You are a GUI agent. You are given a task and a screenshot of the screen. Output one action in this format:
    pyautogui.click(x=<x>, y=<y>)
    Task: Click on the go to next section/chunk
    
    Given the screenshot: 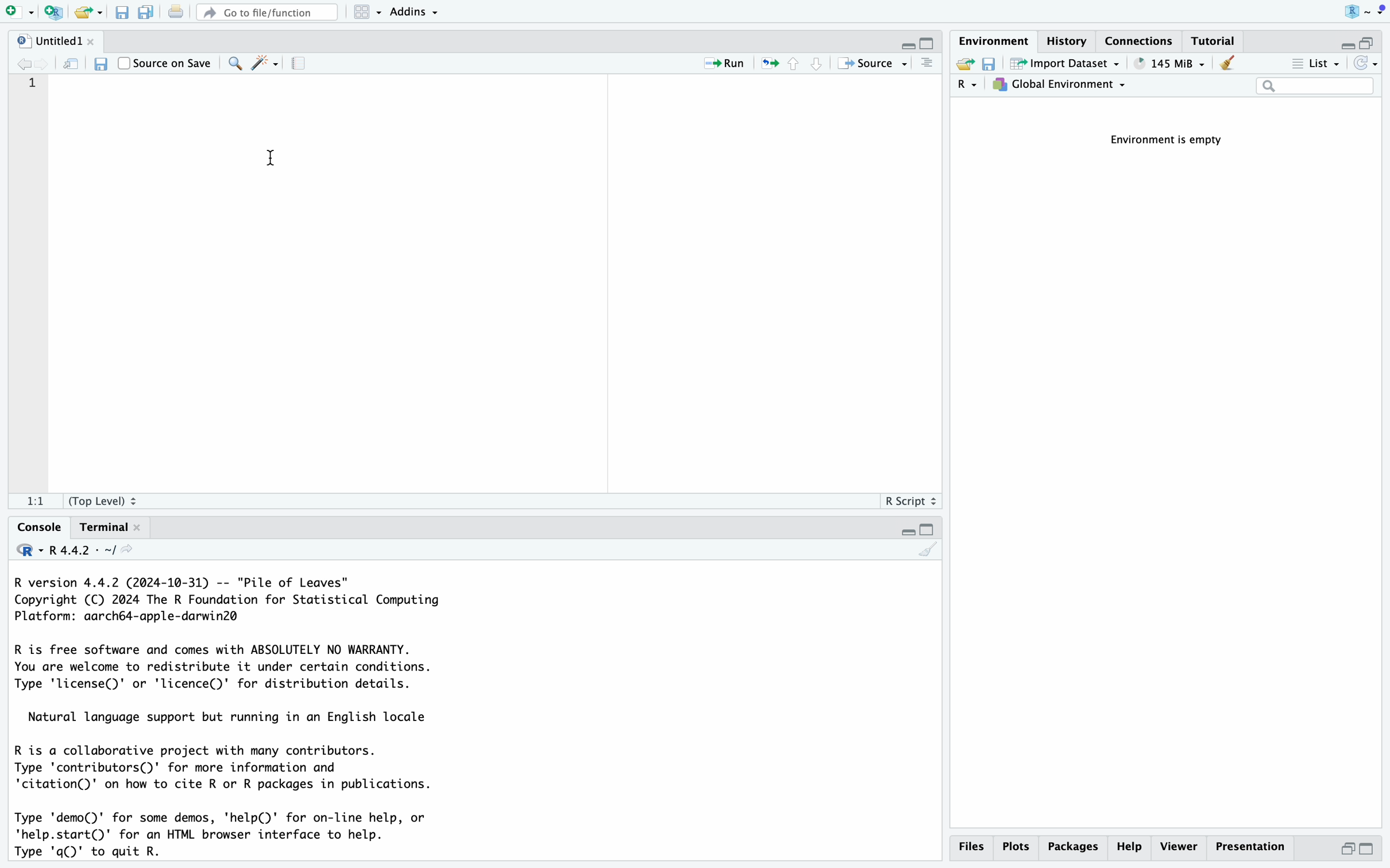 What is the action you would take?
    pyautogui.click(x=818, y=68)
    